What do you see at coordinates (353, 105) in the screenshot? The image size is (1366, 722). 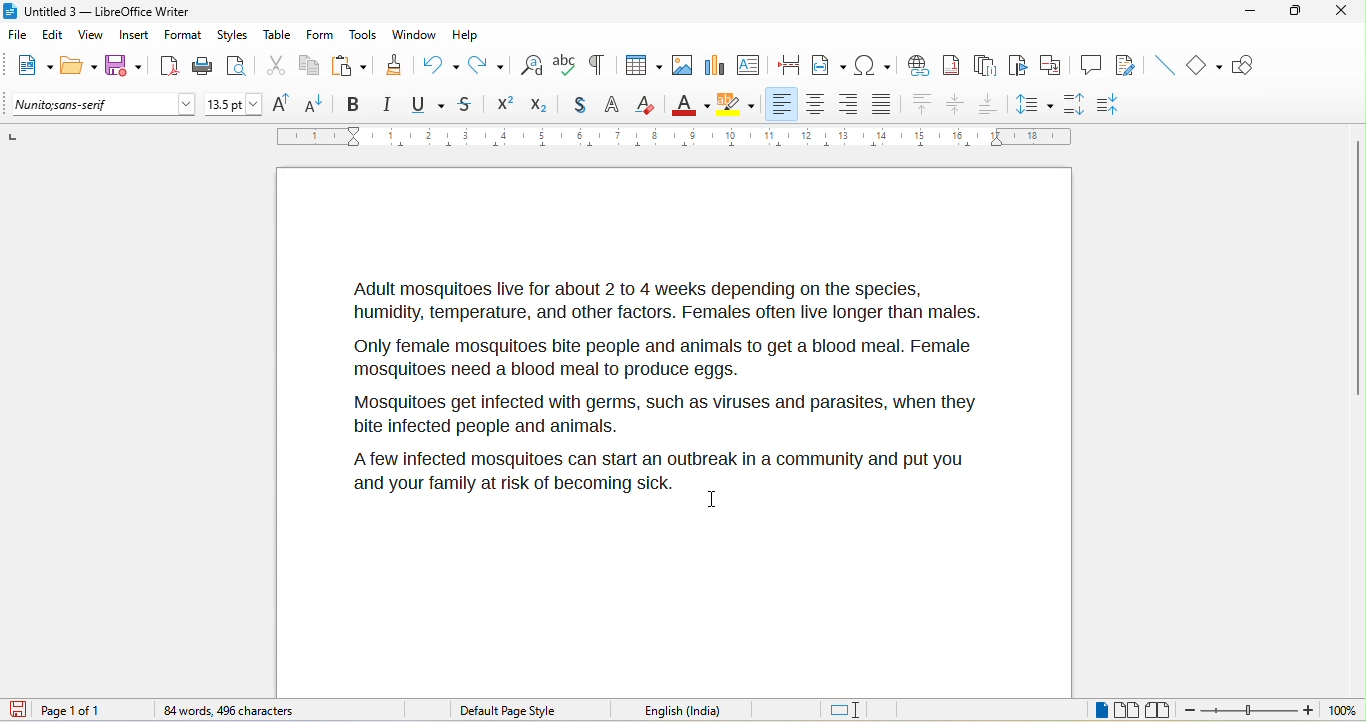 I see `bold` at bounding box center [353, 105].